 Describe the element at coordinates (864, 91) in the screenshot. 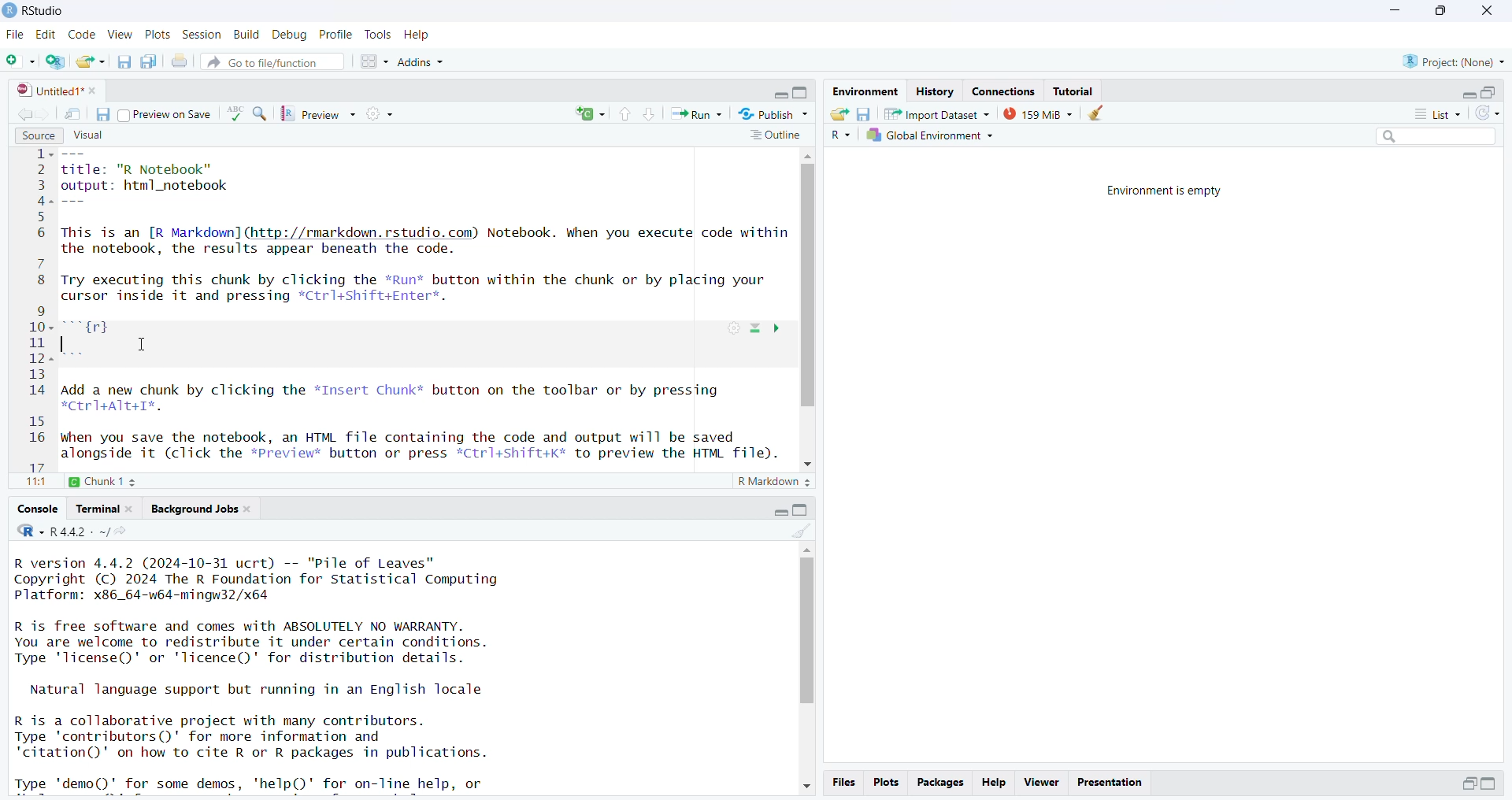

I see `environment` at that location.